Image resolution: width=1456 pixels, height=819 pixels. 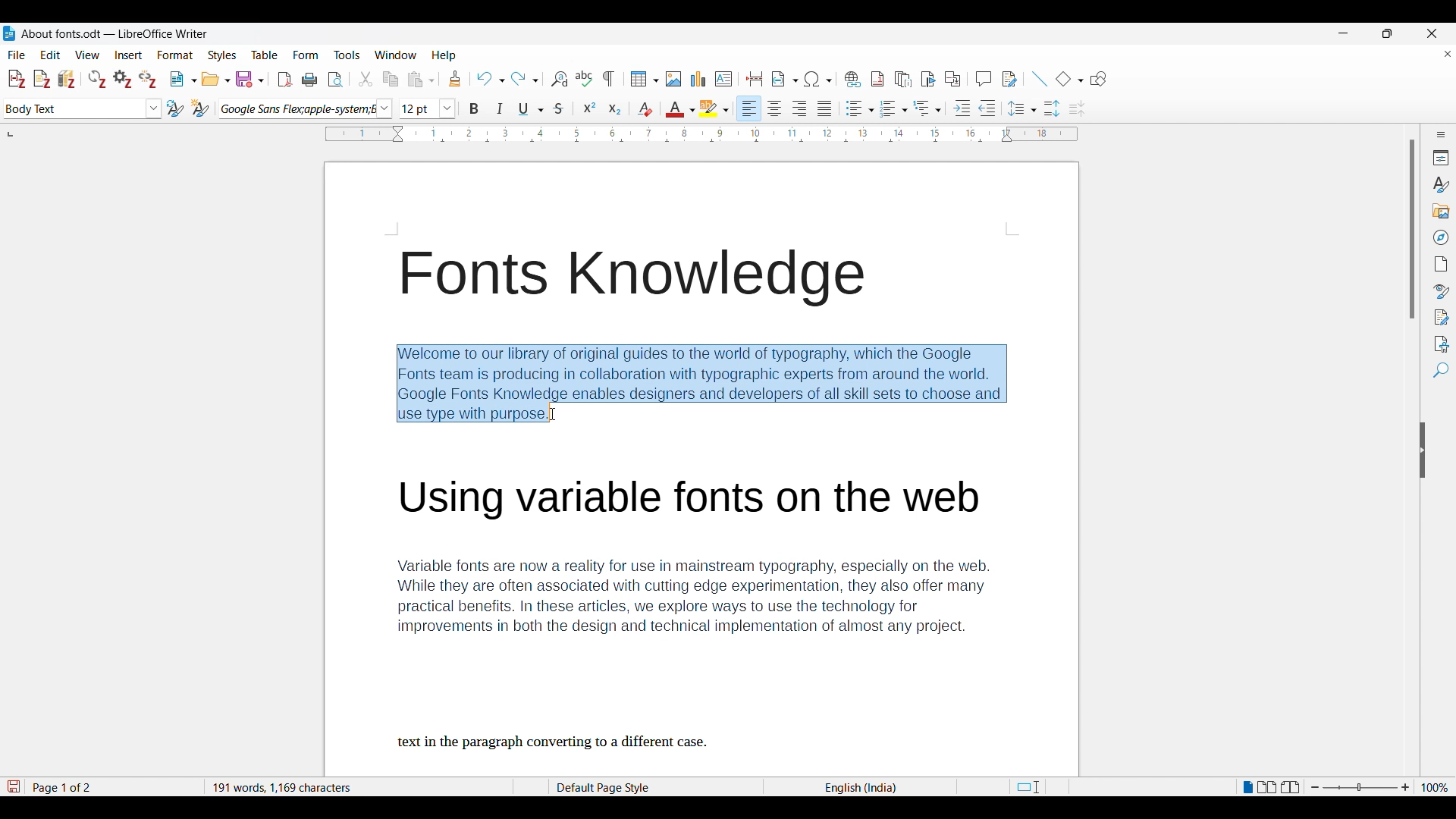 I want to click on Decrease indent, so click(x=987, y=108).